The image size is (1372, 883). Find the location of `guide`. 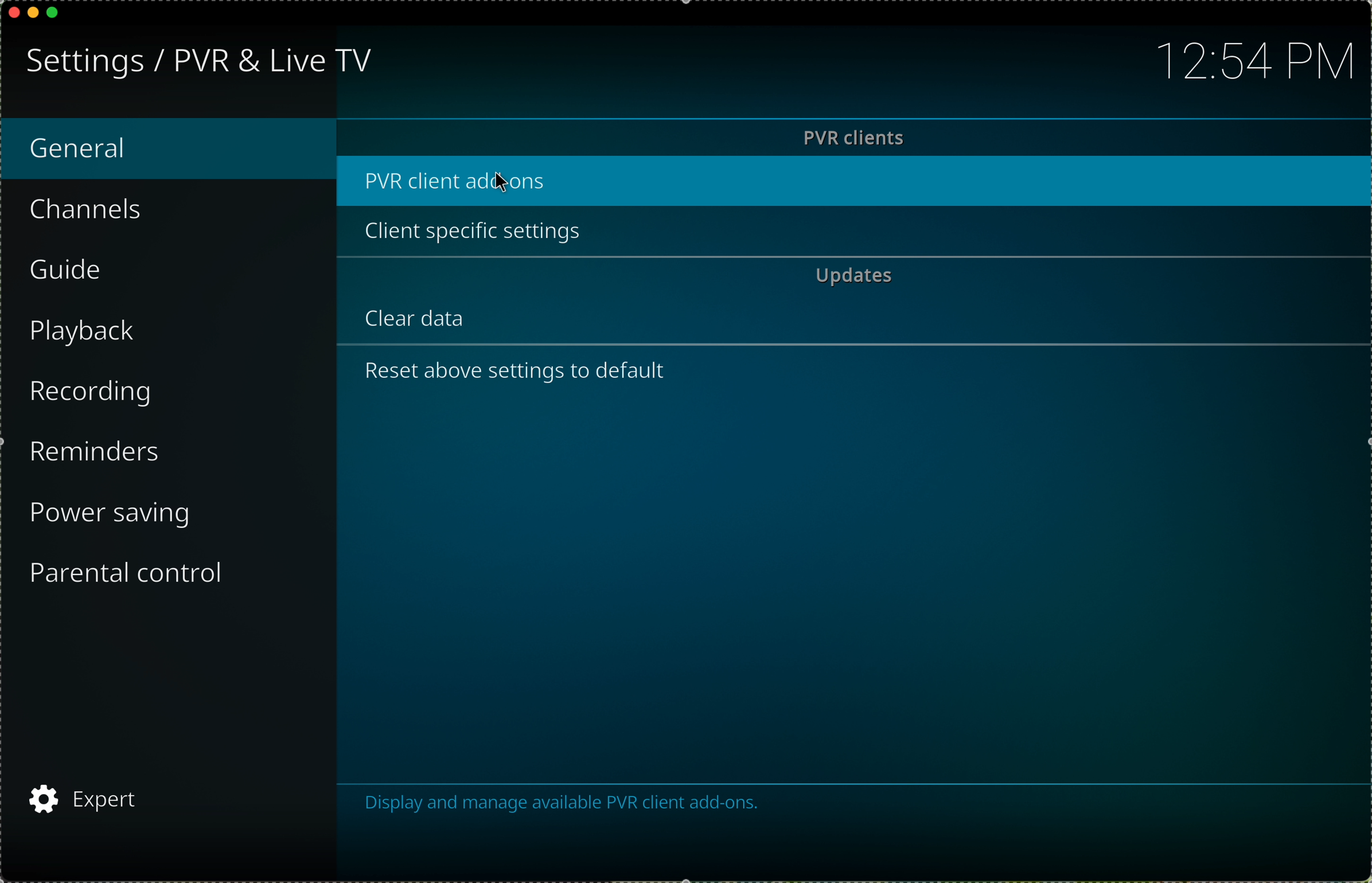

guide is located at coordinates (70, 272).